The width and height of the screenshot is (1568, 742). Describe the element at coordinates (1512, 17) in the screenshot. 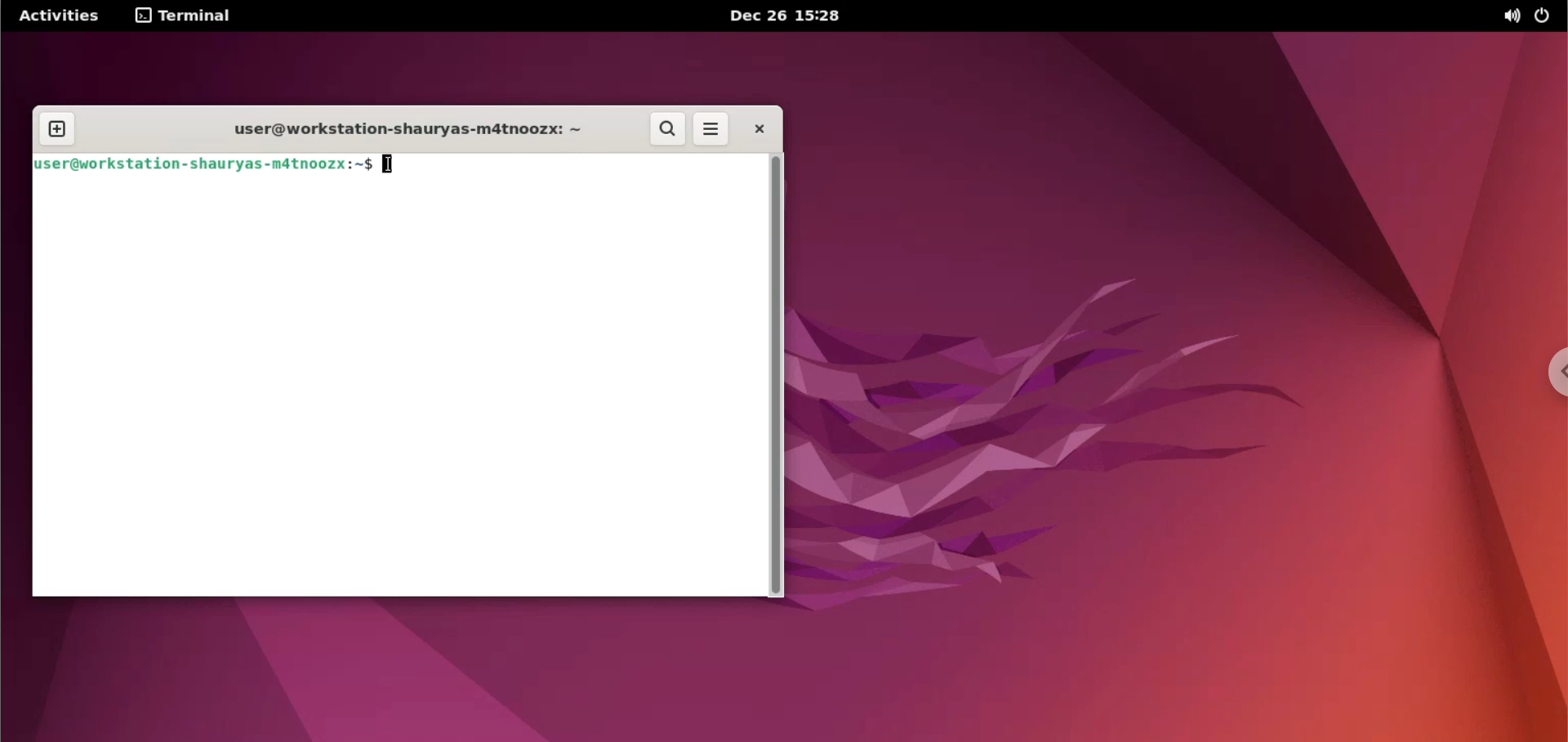

I see `sound options` at that location.